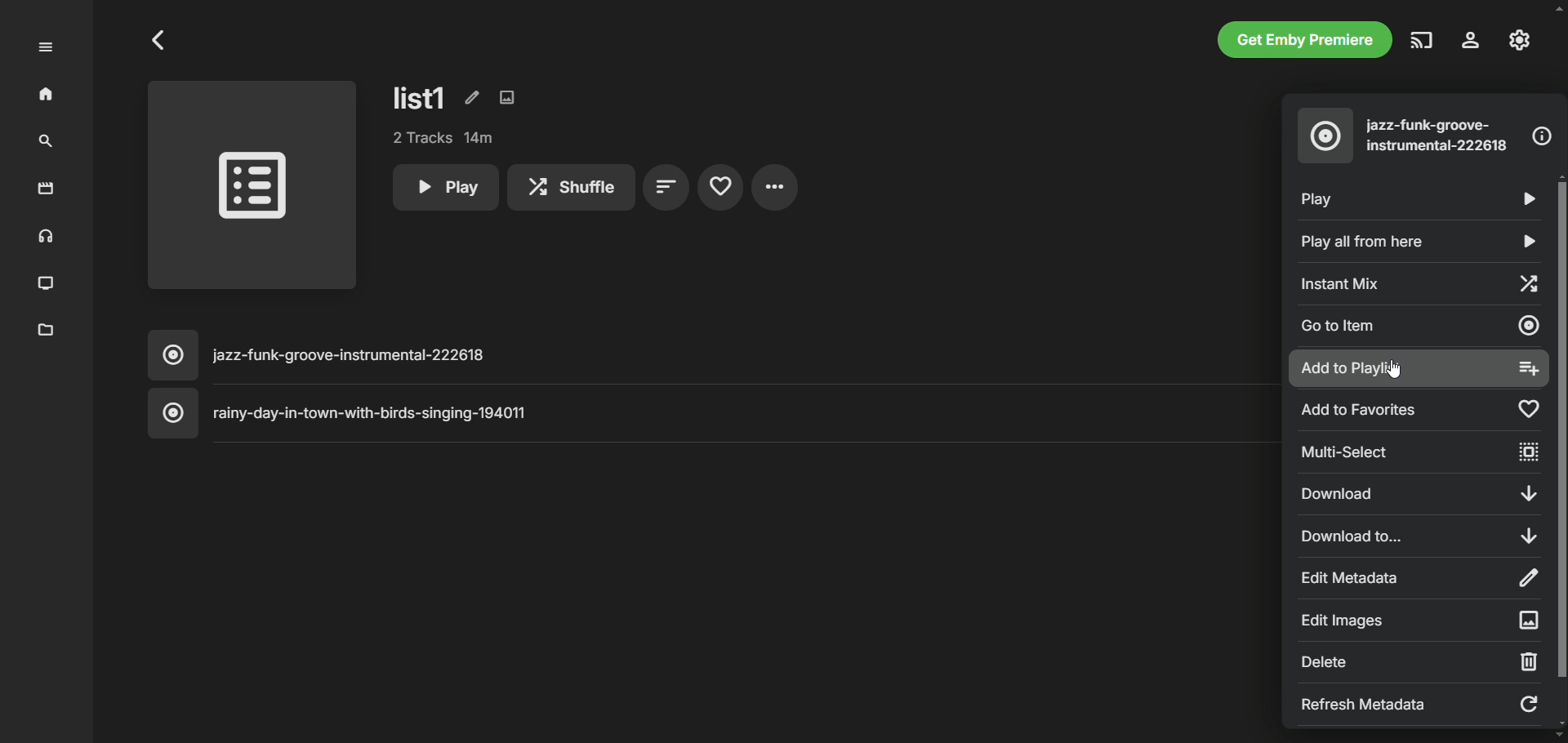 This screenshot has height=743, width=1568. I want to click on edit metadata, so click(1419, 578).